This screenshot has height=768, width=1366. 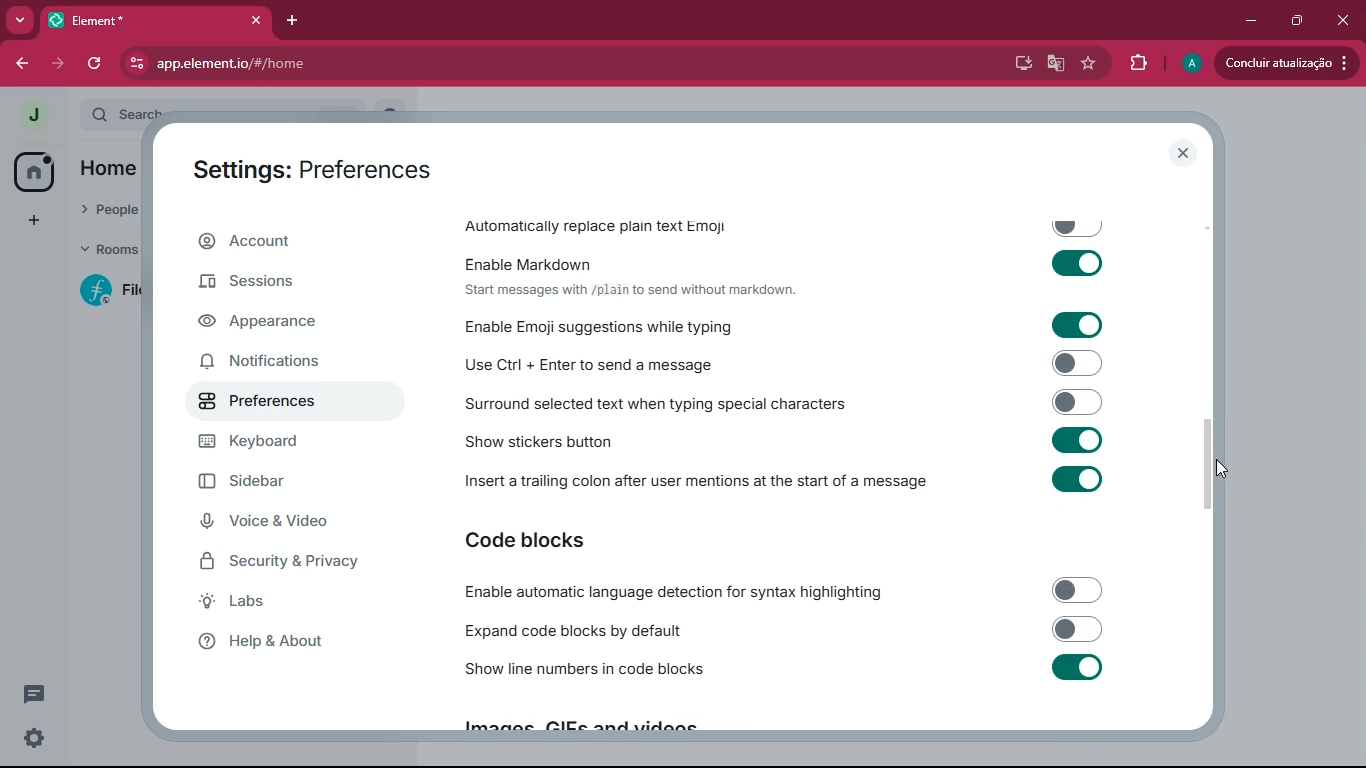 I want to click on forward, so click(x=61, y=64).